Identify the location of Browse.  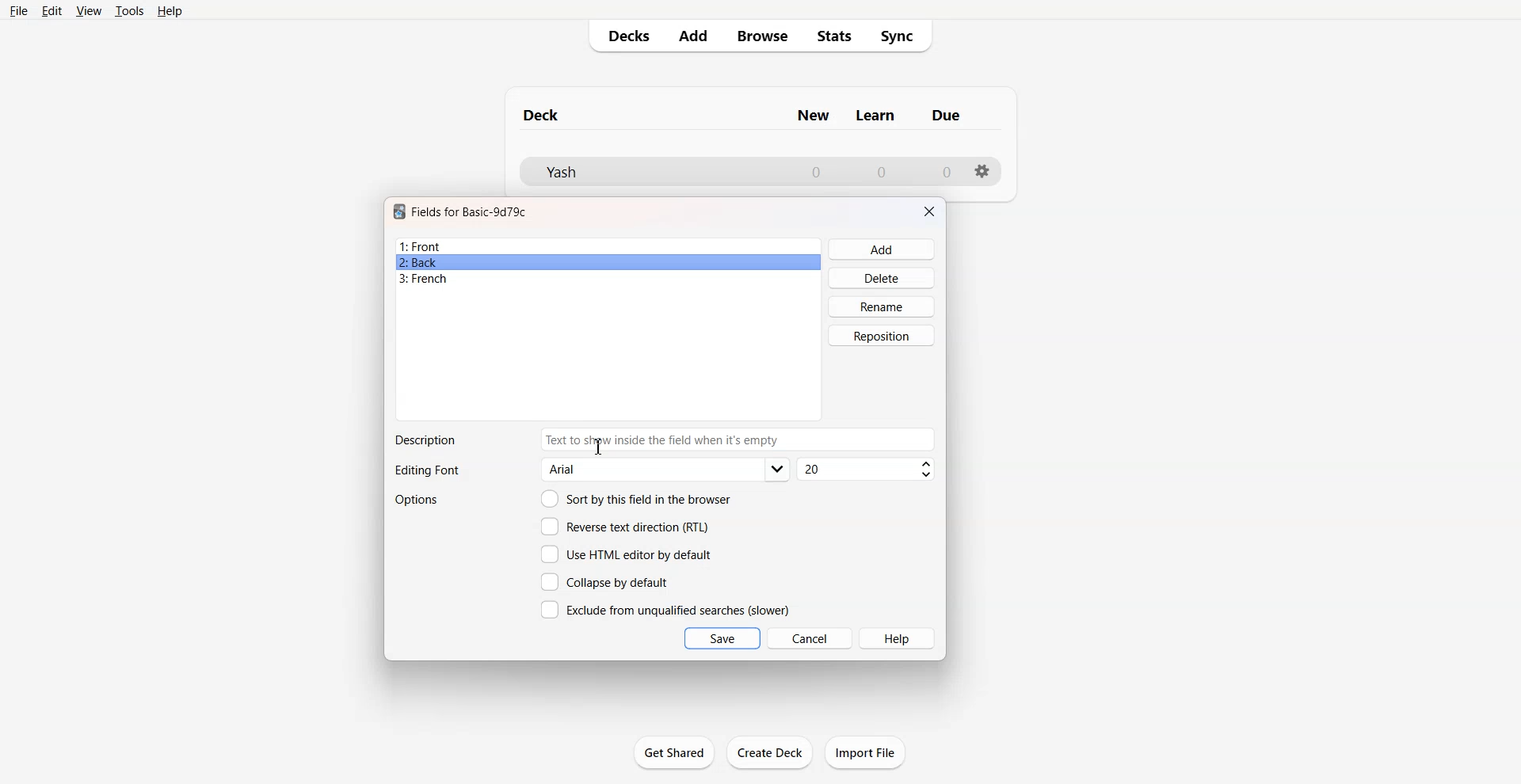
(761, 36).